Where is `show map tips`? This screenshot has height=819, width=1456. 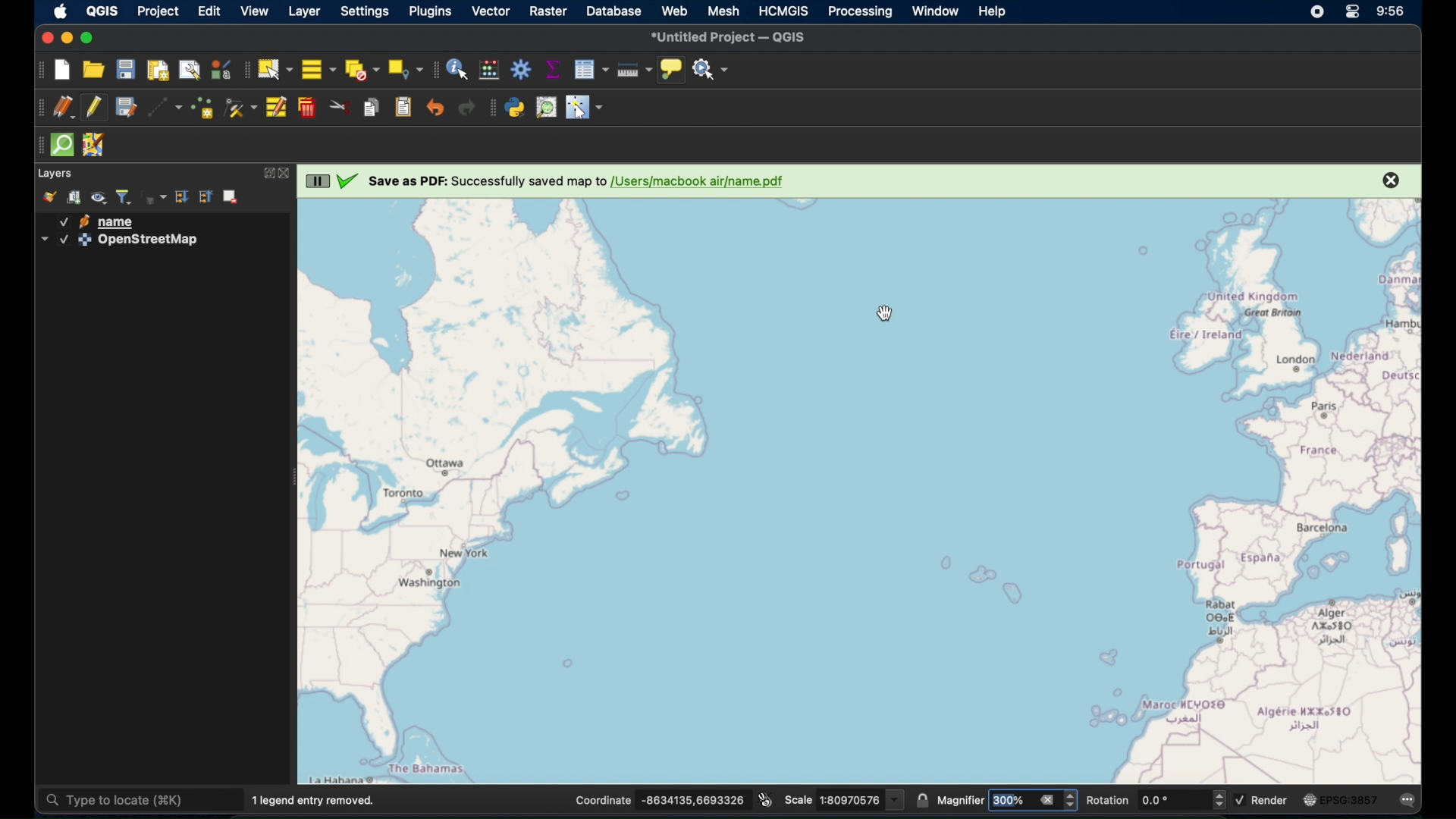
show map tips is located at coordinates (673, 70).